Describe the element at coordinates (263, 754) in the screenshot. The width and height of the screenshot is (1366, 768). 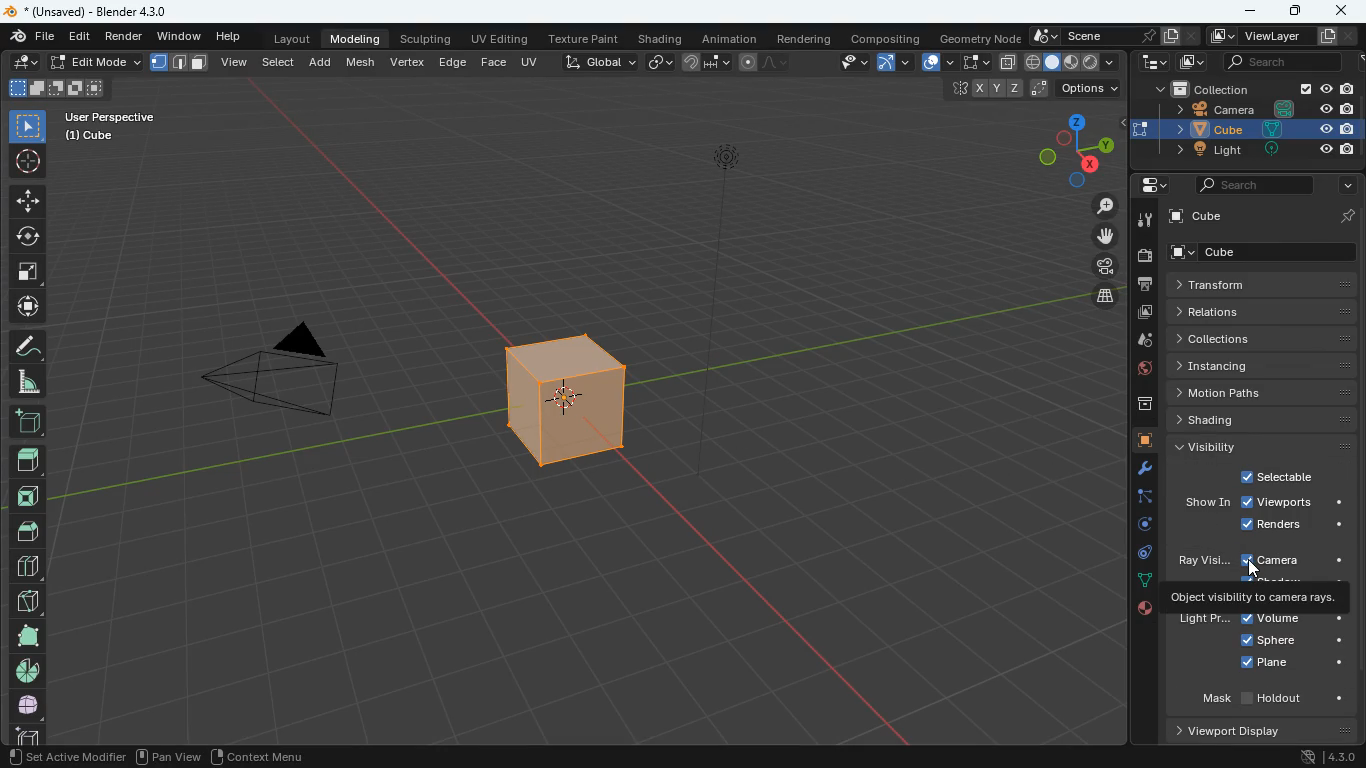
I see `context menu` at that location.